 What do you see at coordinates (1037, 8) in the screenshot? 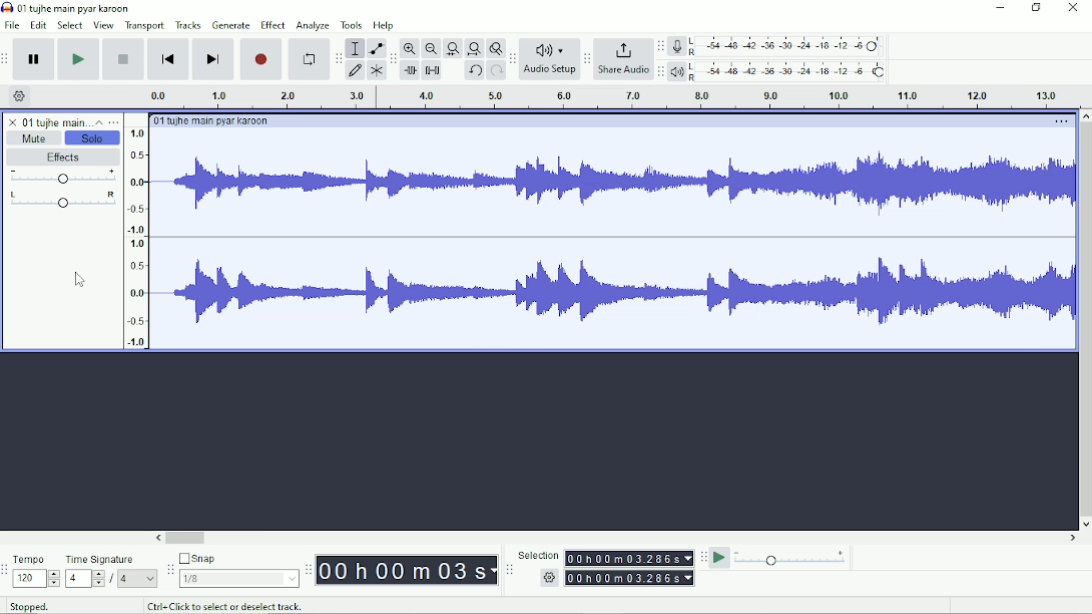
I see `Maximize` at bounding box center [1037, 8].